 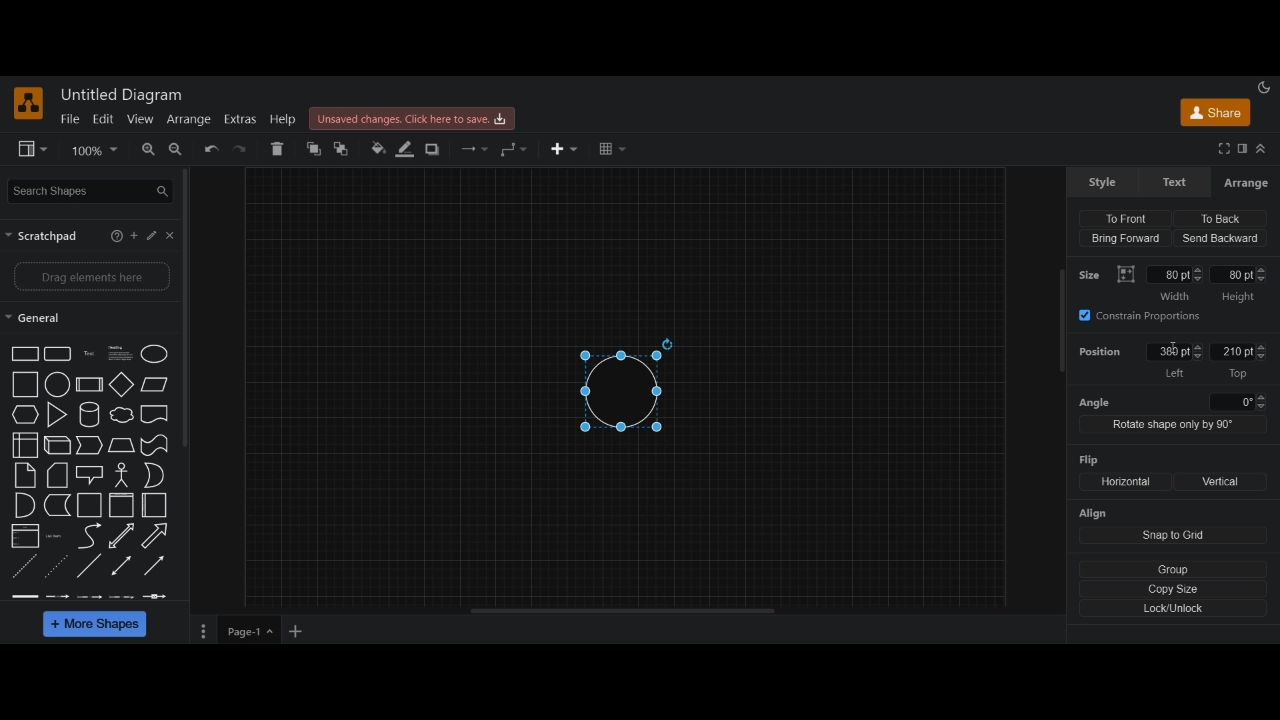 I want to click on Paste, so click(x=58, y=475).